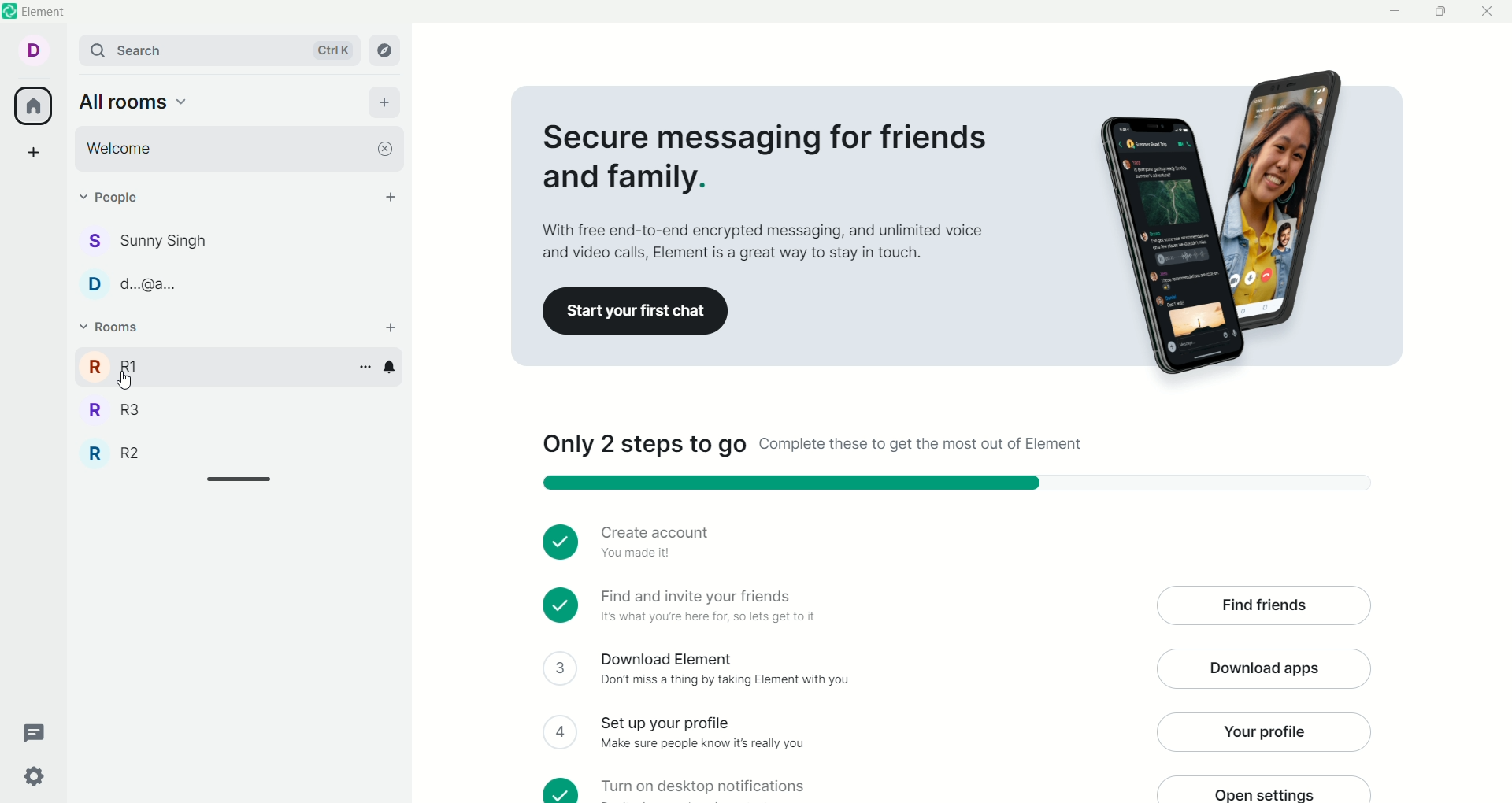  Describe the element at coordinates (114, 327) in the screenshot. I see `rooms` at that location.